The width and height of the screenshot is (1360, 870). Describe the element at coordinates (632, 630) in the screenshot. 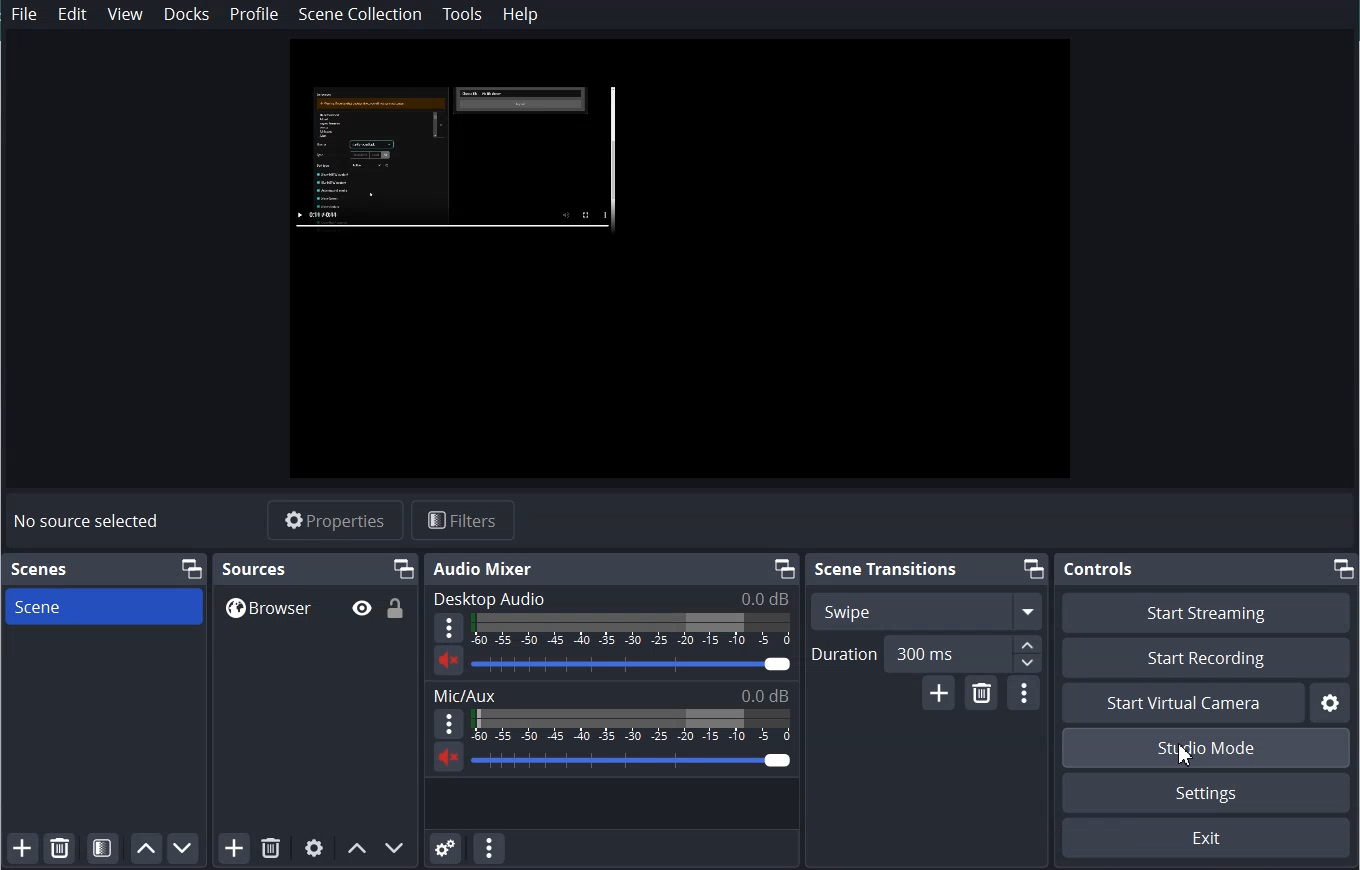

I see `Sound Indicator` at that location.